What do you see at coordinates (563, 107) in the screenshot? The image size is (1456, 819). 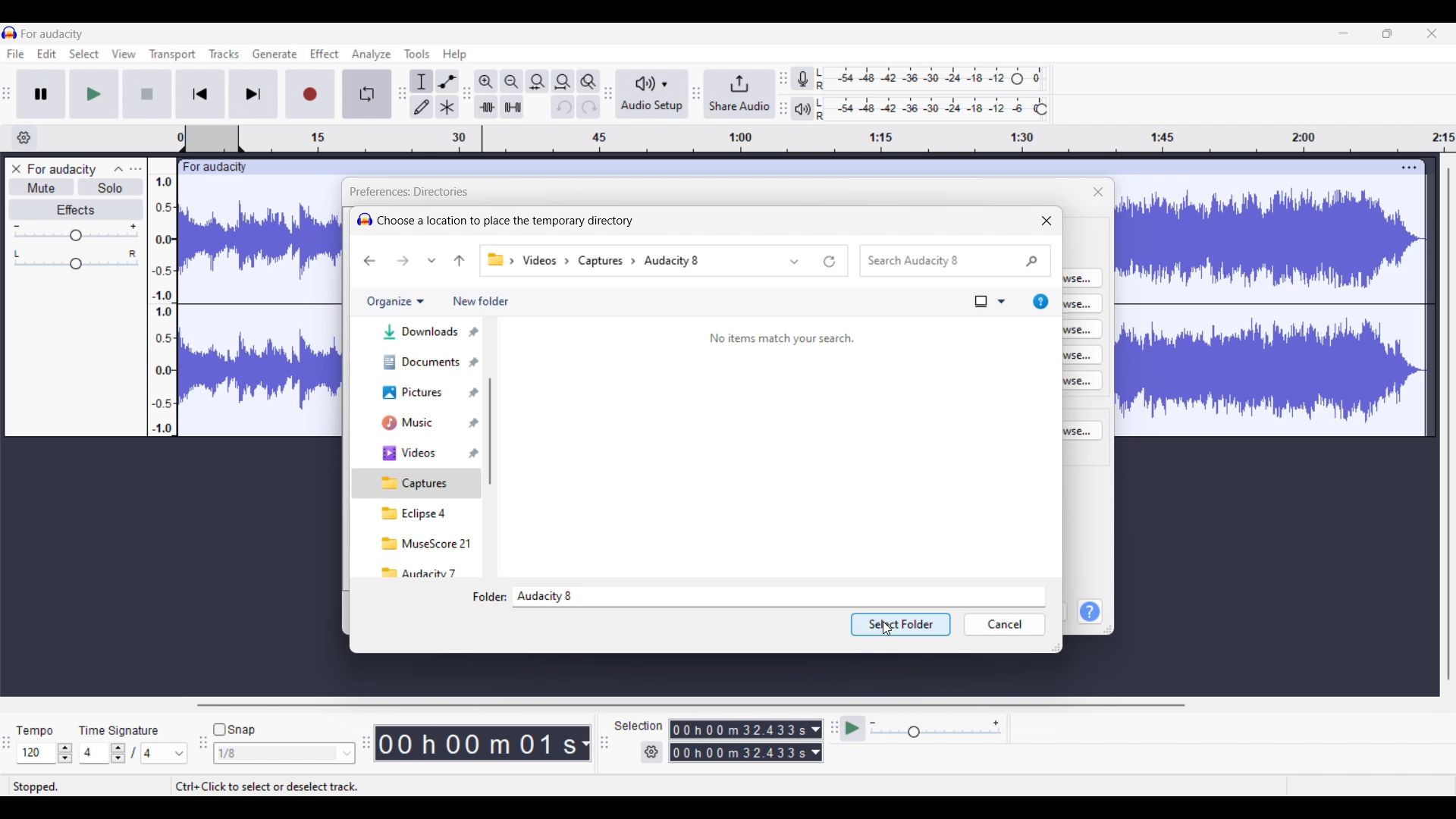 I see `Undo` at bounding box center [563, 107].